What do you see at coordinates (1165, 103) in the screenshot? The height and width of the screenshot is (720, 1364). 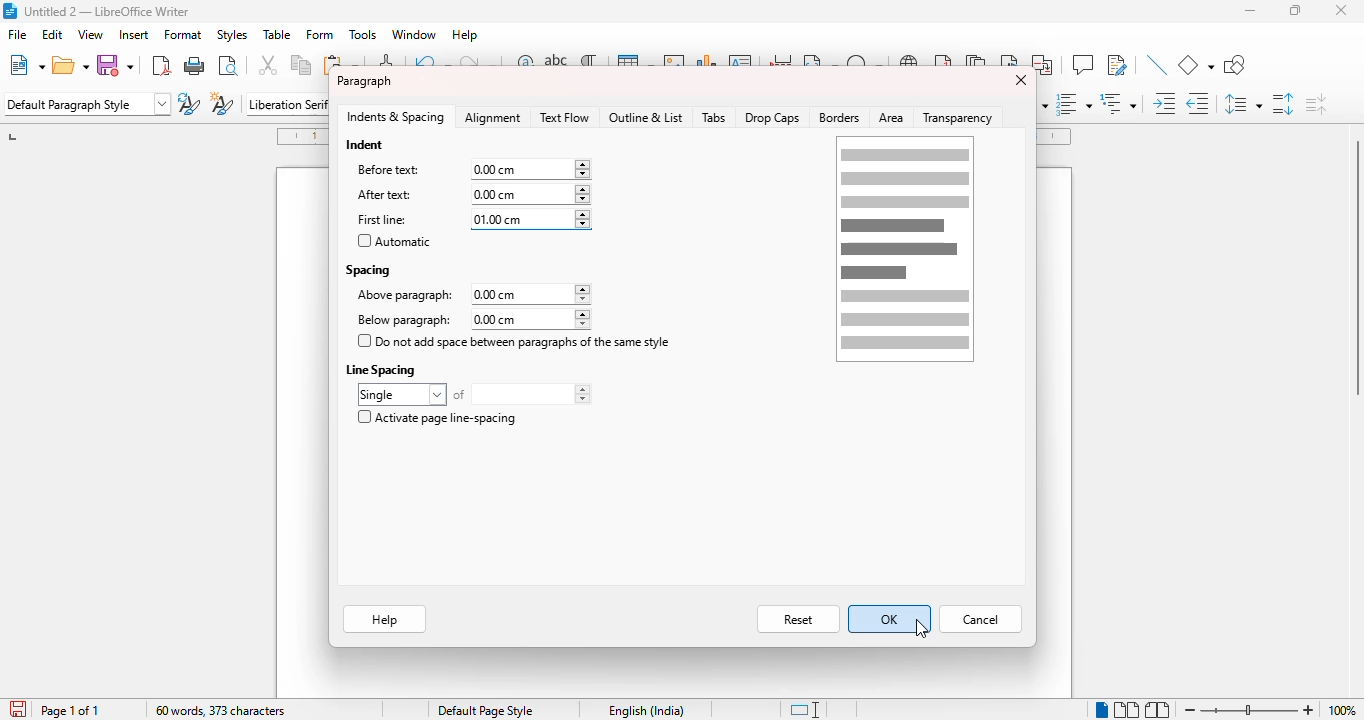 I see `increase indent` at bounding box center [1165, 103].